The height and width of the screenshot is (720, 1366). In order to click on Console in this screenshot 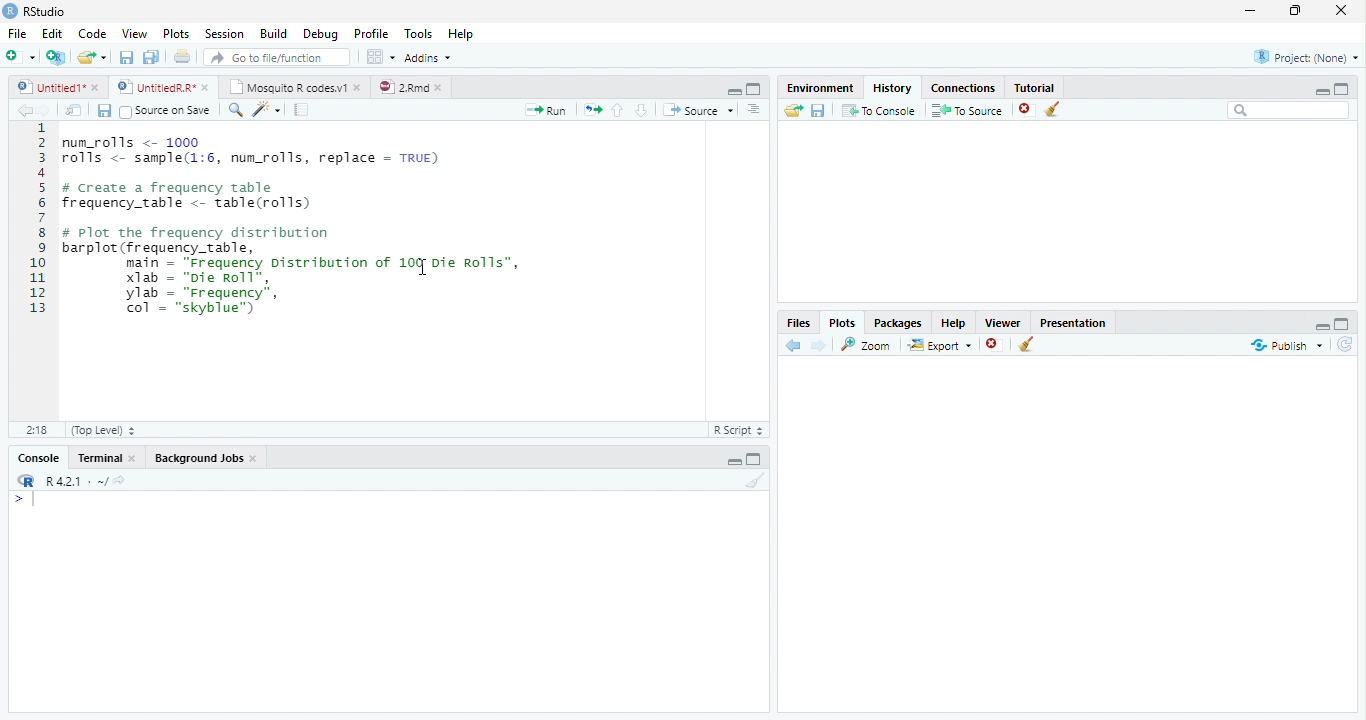, I will do `click(38, 457)`.